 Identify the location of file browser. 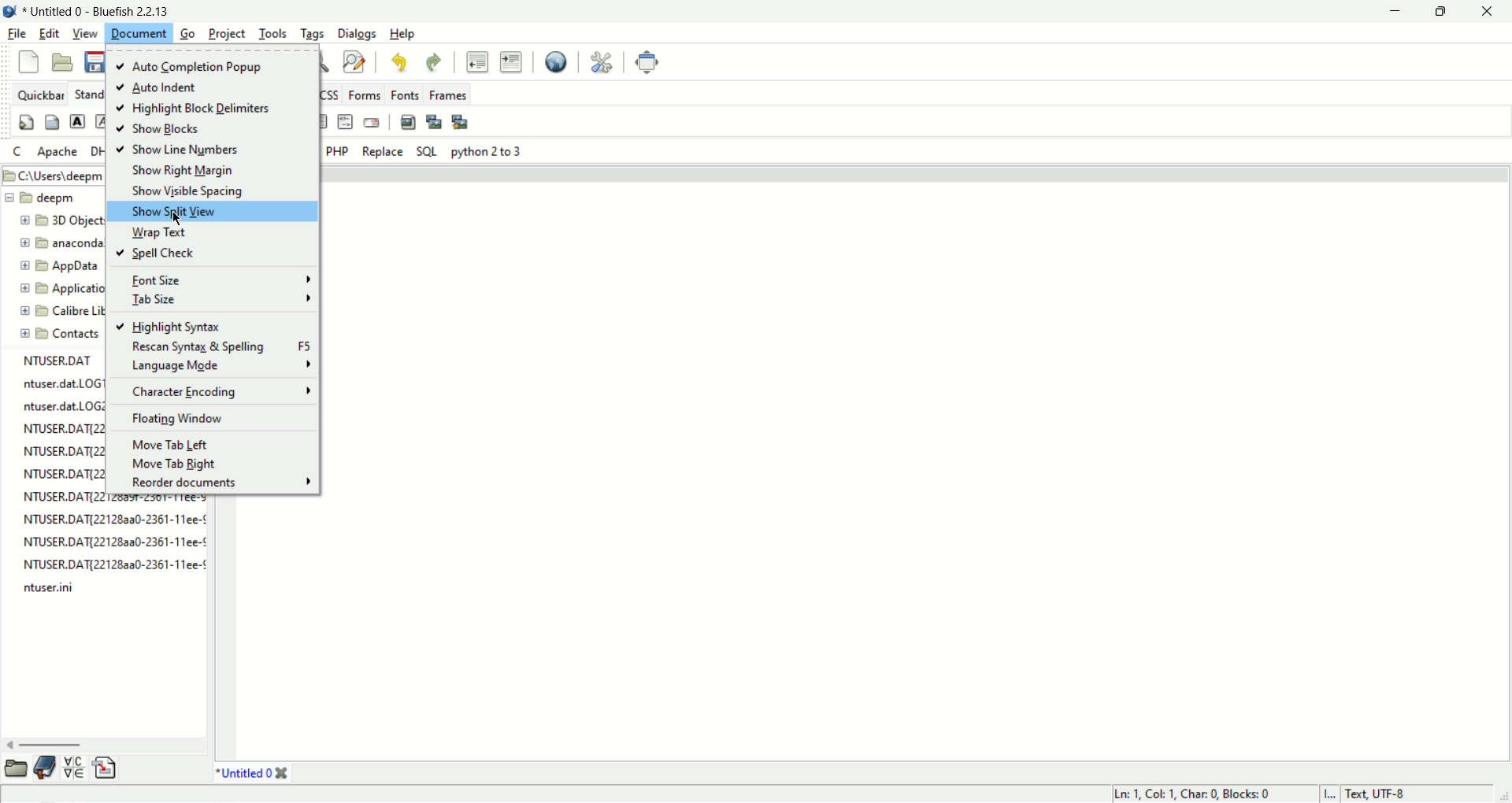
(14, 768).